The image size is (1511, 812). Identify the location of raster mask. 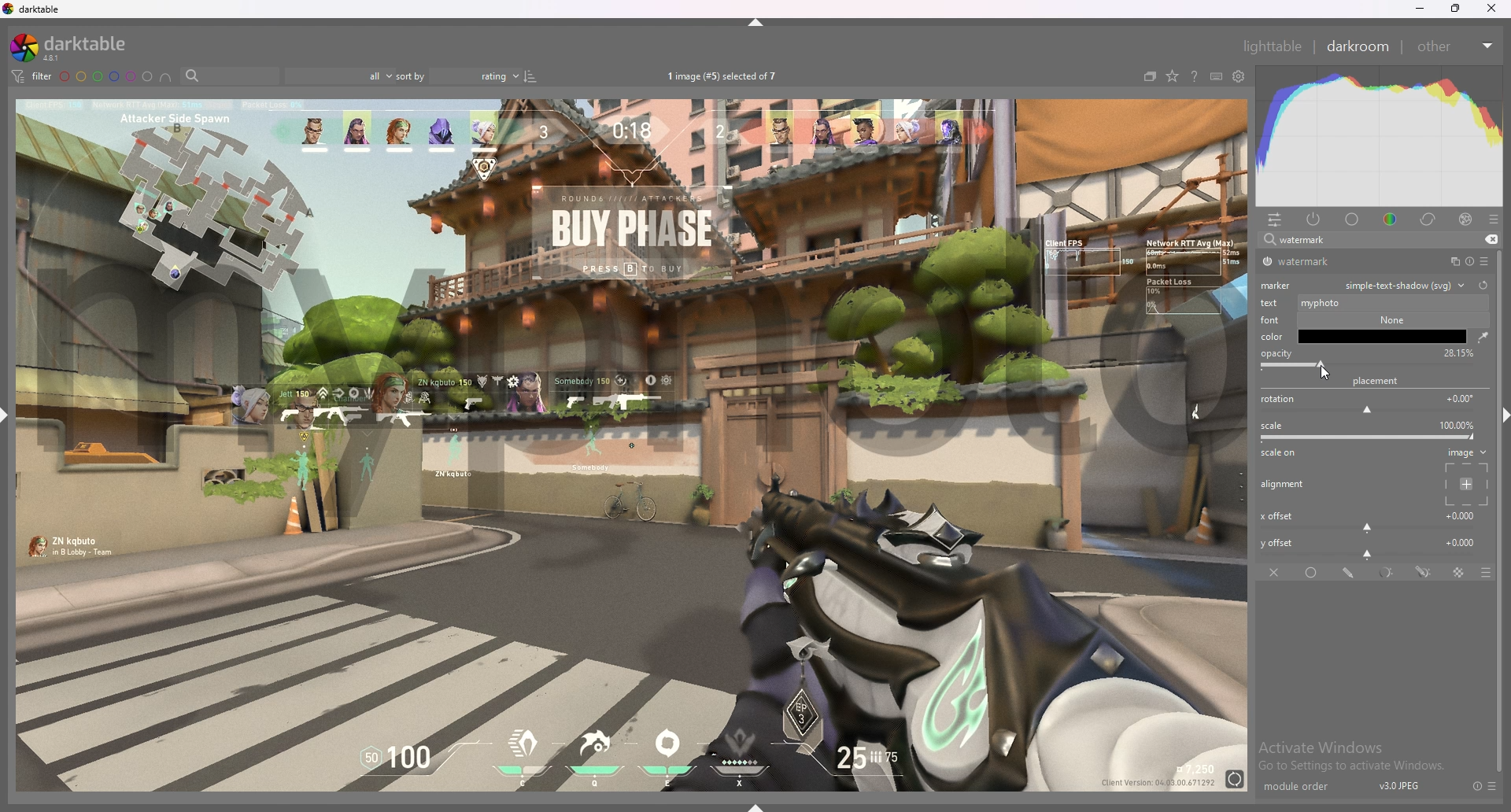
(1460, 573).